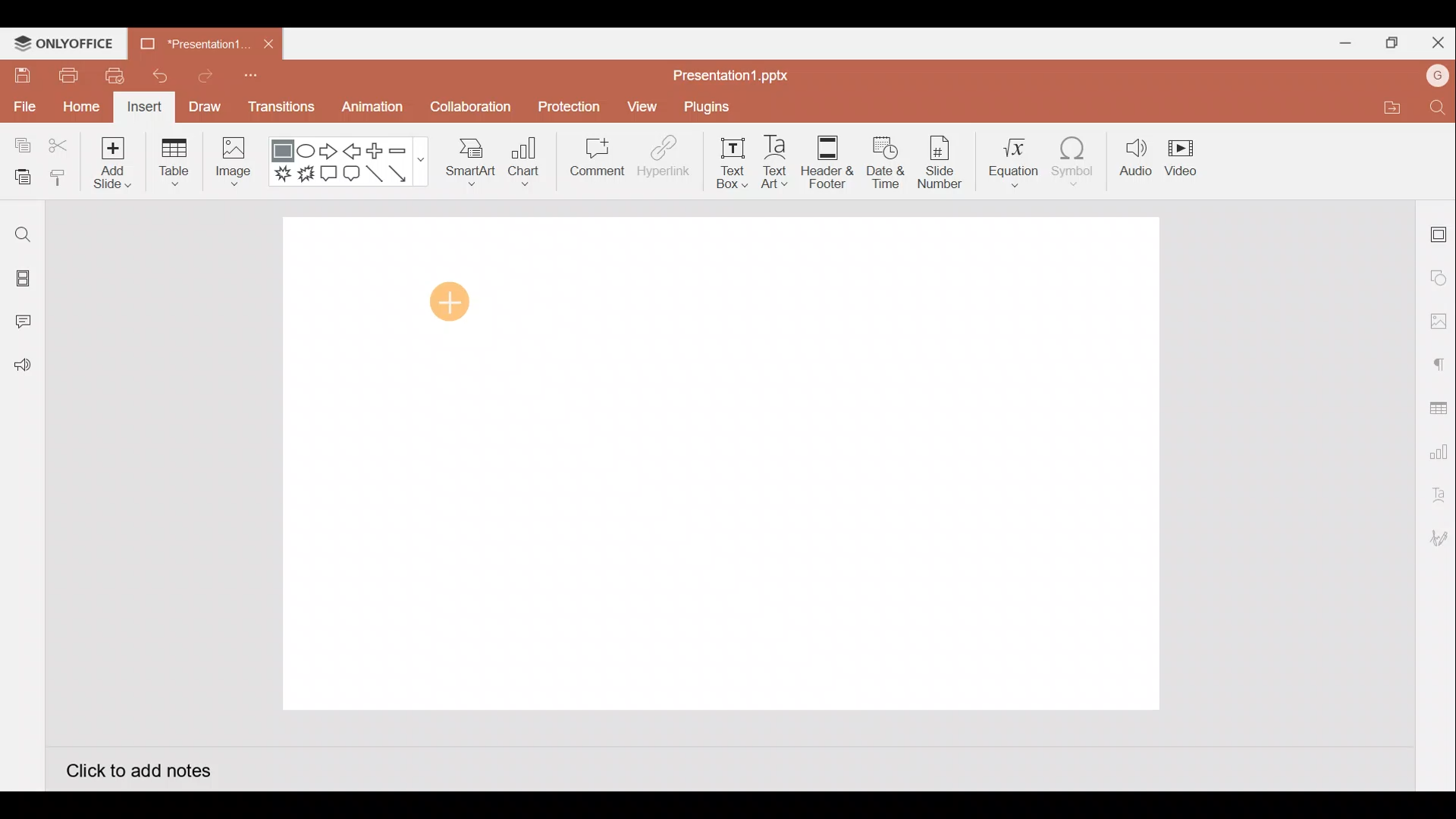 Image resolution: width=1456 pixels, height=819 pixels. What do you see at coordinates (828, 160) in the screenshot?
I see `Header & footer` at bounding box center [828, 160].